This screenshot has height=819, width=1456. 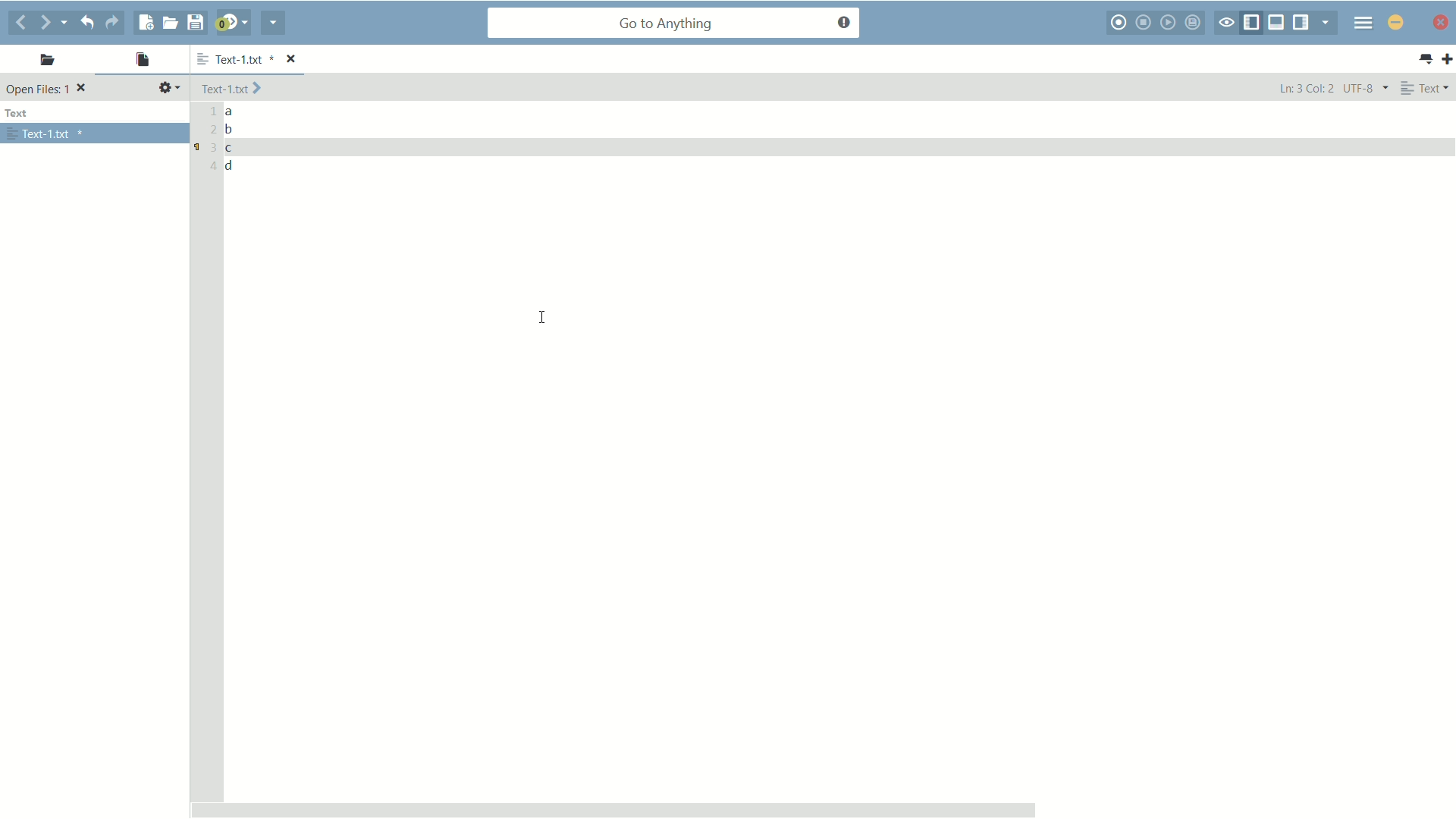 What do you see at coordinates (43, 62) in the screenshot?
I see `places` at bounding box center [43, 62].